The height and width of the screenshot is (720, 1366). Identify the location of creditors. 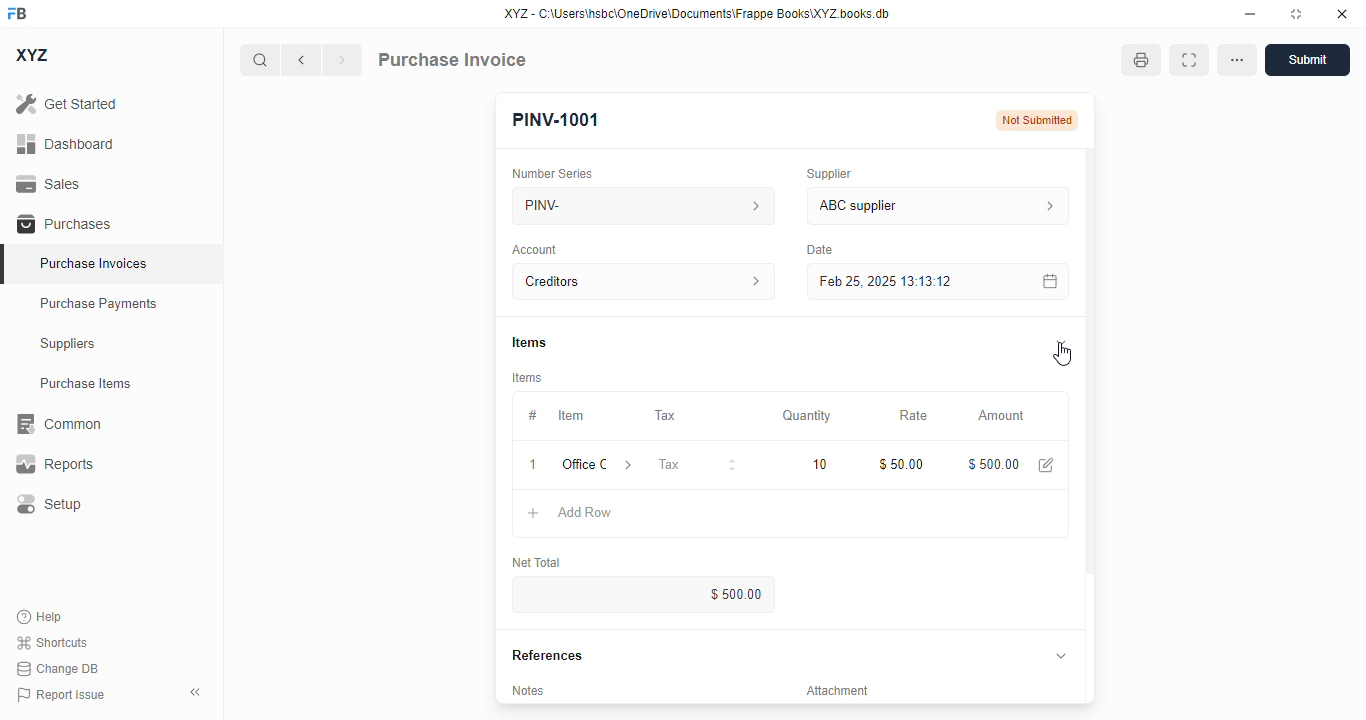
(617, 281).